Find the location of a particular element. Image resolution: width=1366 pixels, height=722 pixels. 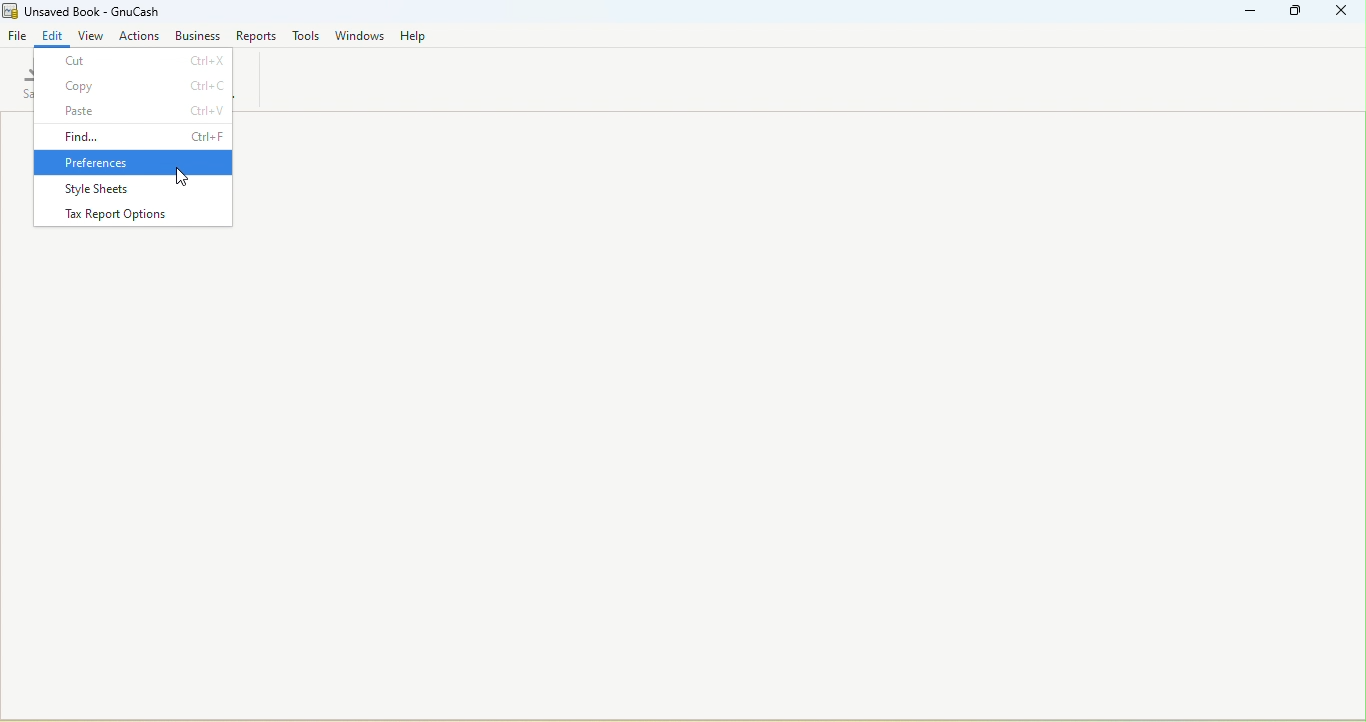

Paste is located at coordinates (134, 110).